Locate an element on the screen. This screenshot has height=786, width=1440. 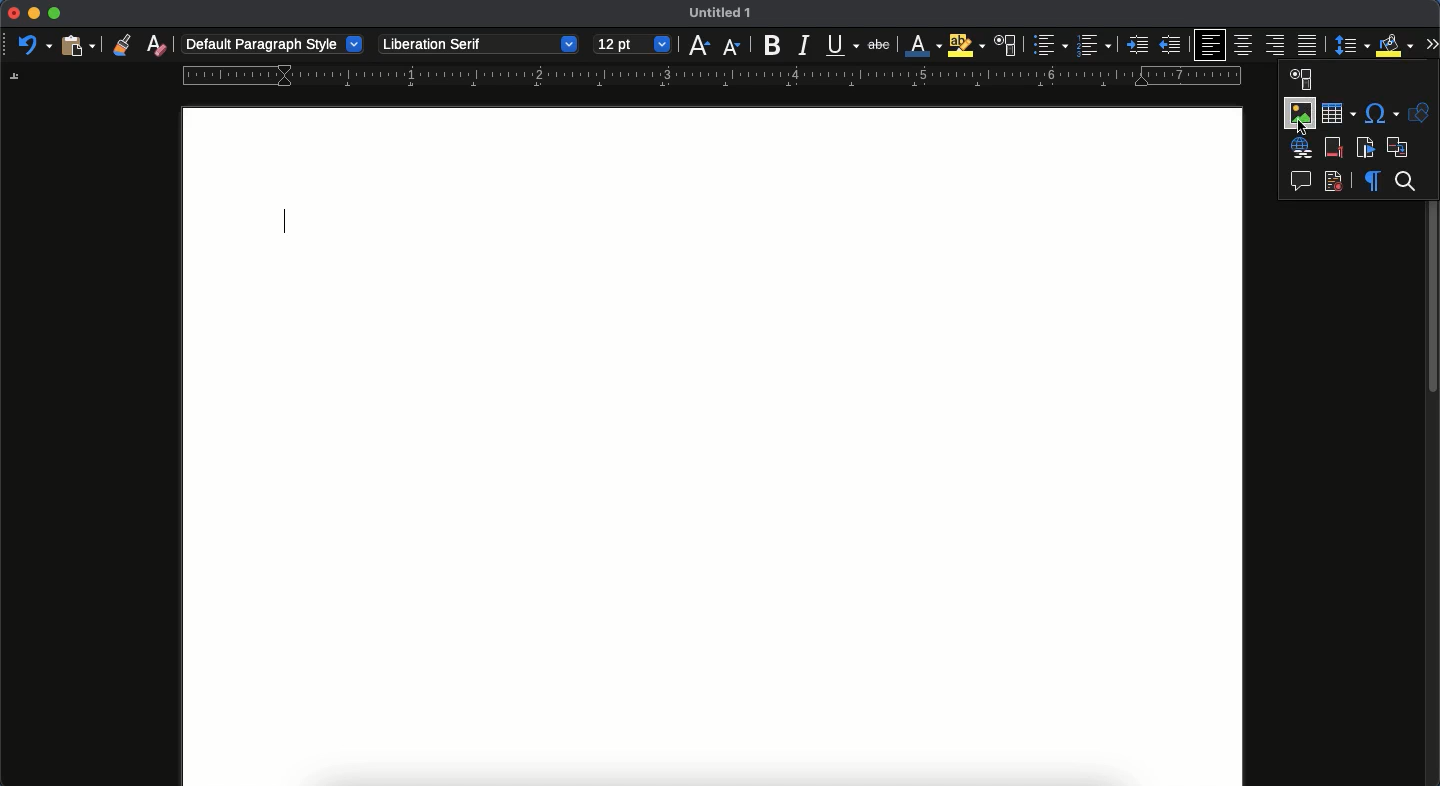
insert comment is located at coordinates (1300, 180).